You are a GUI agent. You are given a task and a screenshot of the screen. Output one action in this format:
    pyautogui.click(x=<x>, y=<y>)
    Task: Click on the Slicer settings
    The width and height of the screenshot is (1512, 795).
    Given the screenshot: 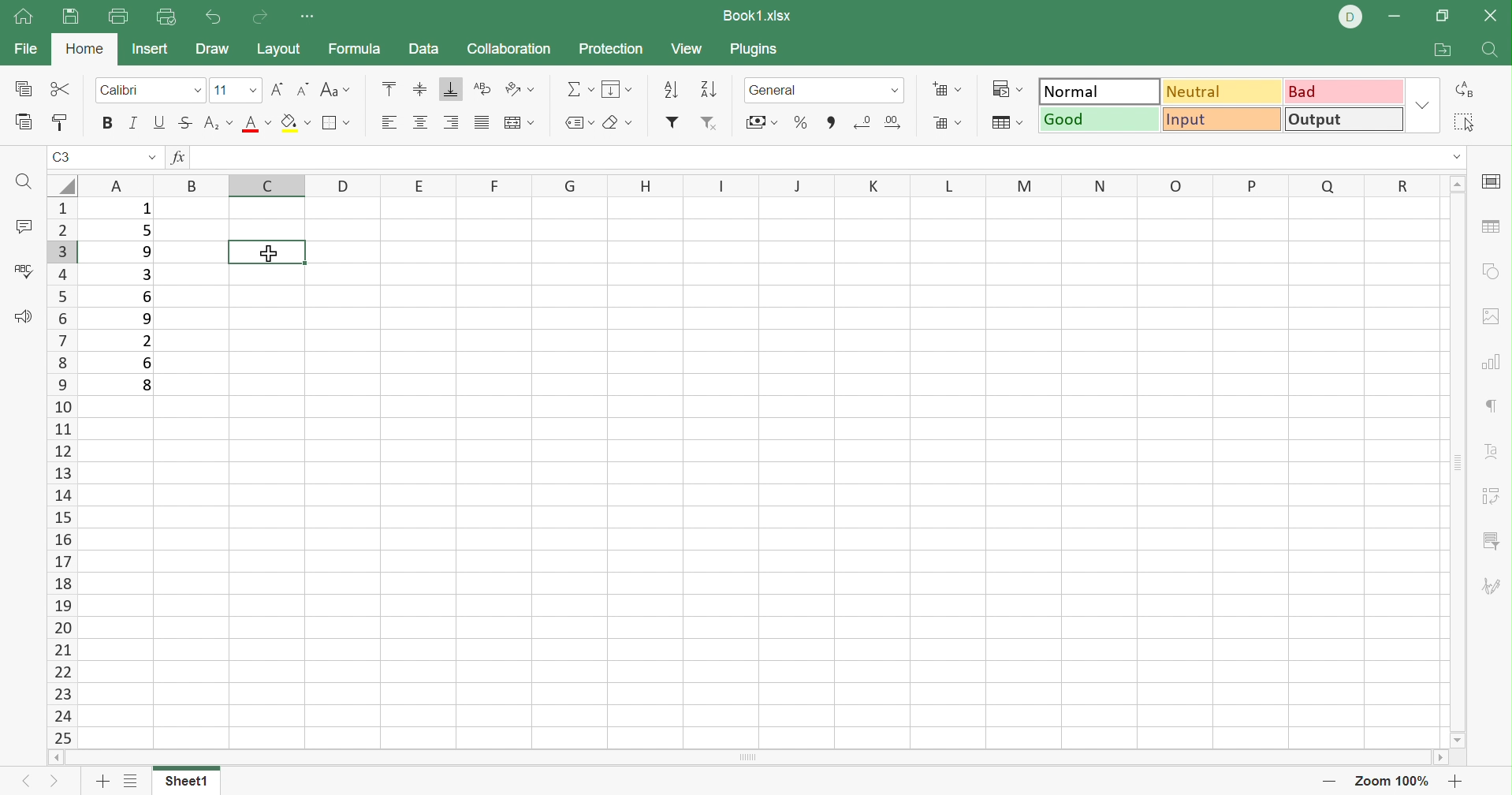 What is the action you would take?
    pyautogui.click(x=1495, y=494)
    